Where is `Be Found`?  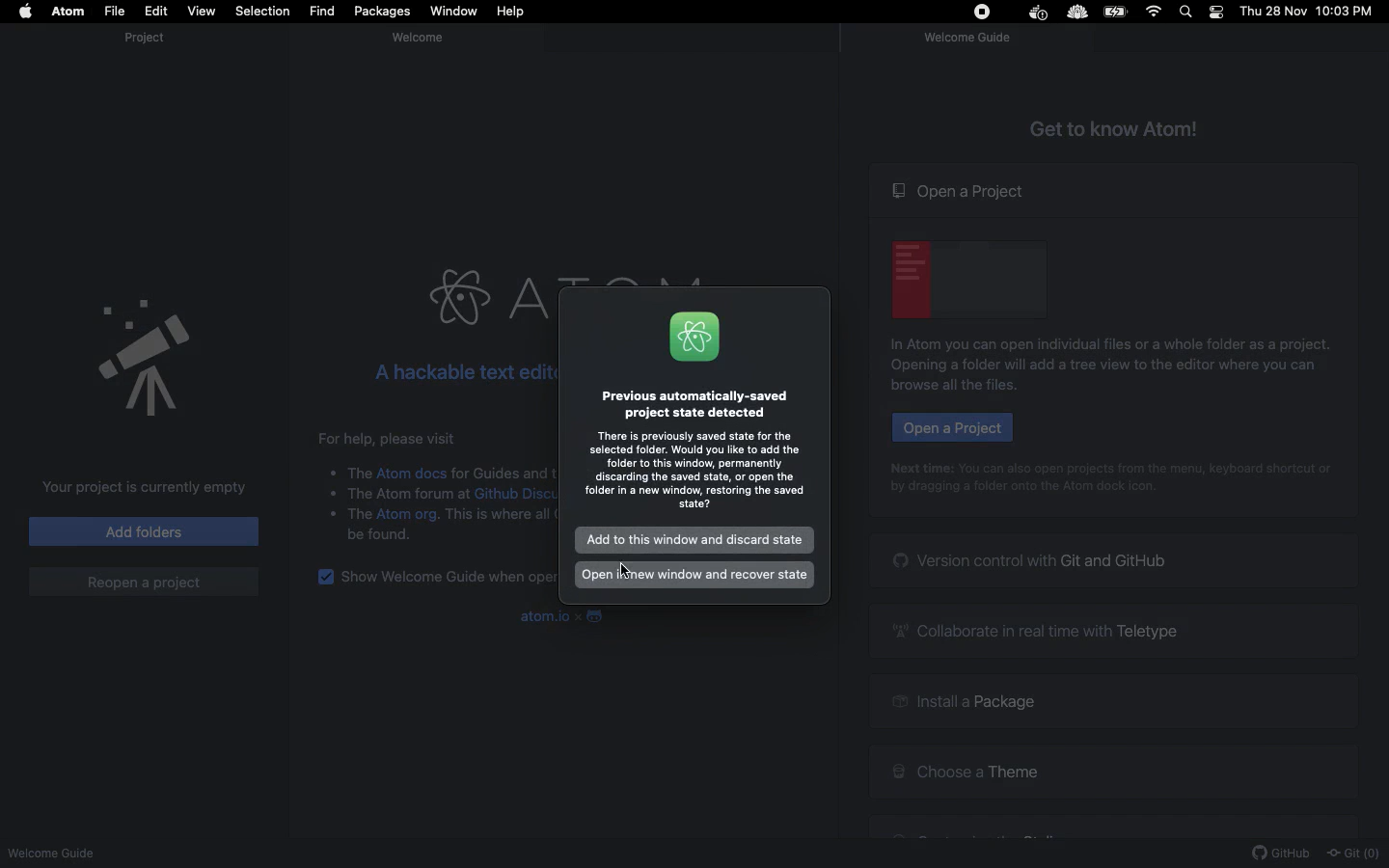
Be Found is located at coordinates (384, 538).